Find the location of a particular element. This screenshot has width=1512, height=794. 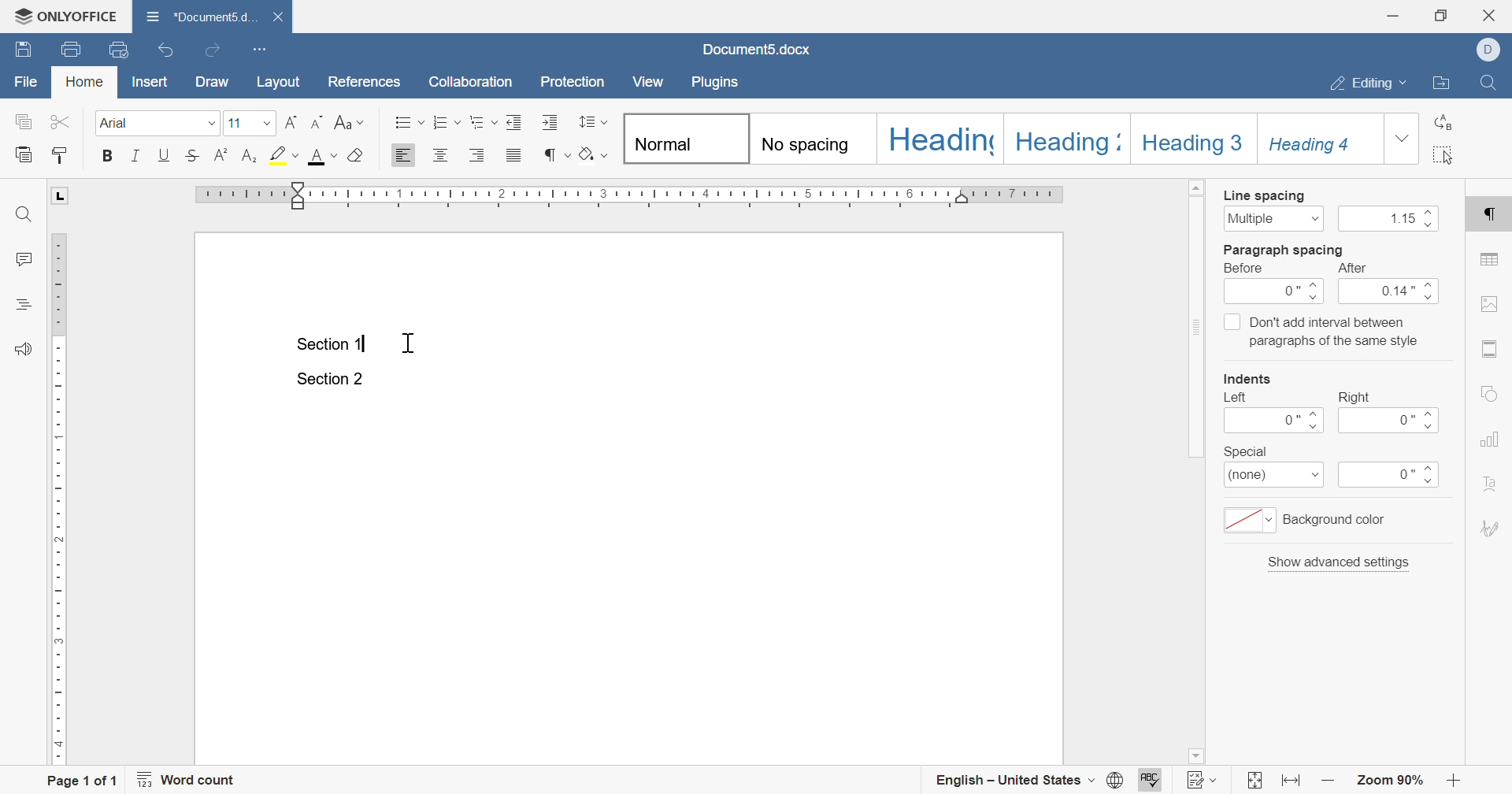

Section 2 is located at coordinates (329, 380).